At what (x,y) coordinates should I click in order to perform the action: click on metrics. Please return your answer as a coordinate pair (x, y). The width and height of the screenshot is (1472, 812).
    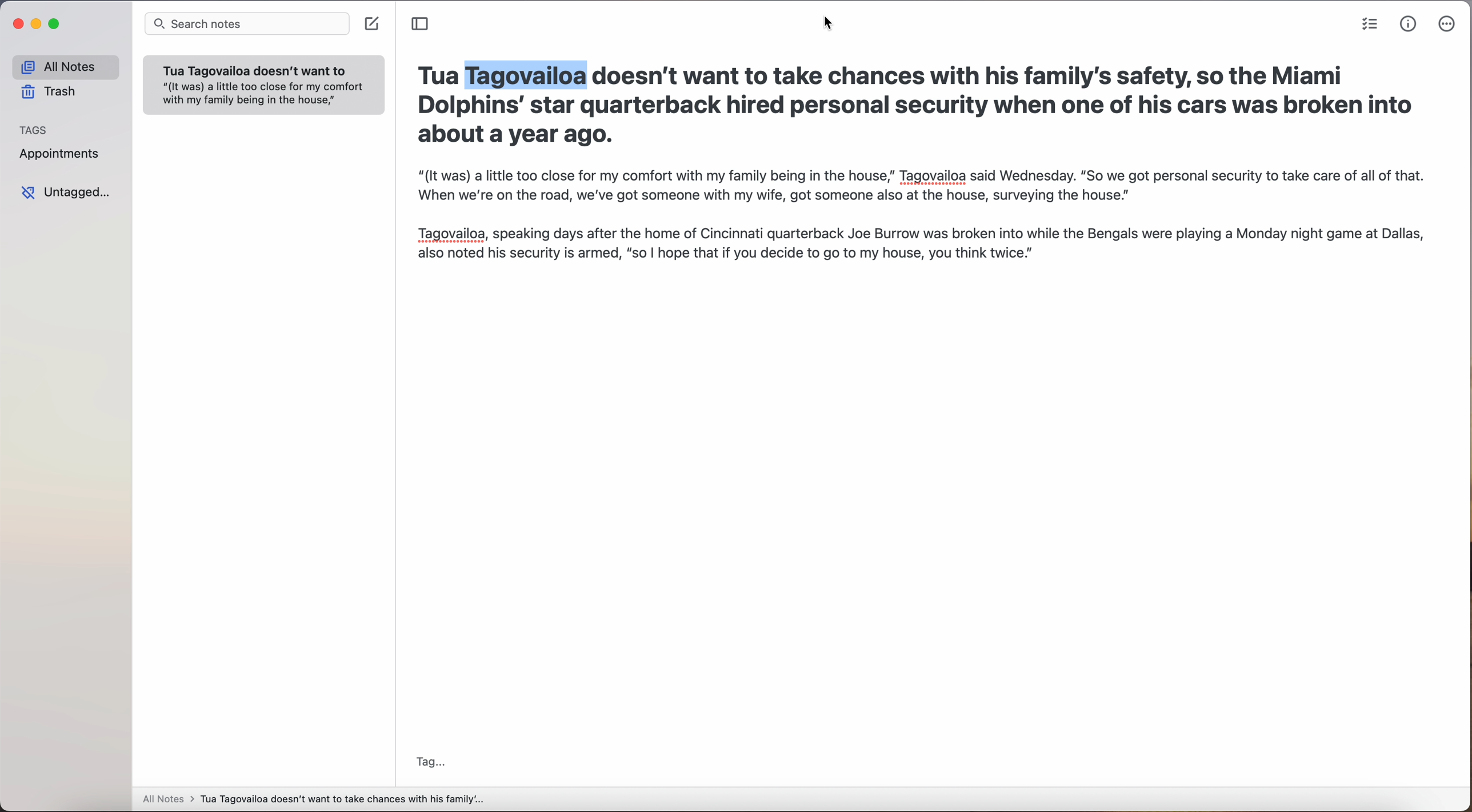
    Looking at the image, I should click on (1409, 25).